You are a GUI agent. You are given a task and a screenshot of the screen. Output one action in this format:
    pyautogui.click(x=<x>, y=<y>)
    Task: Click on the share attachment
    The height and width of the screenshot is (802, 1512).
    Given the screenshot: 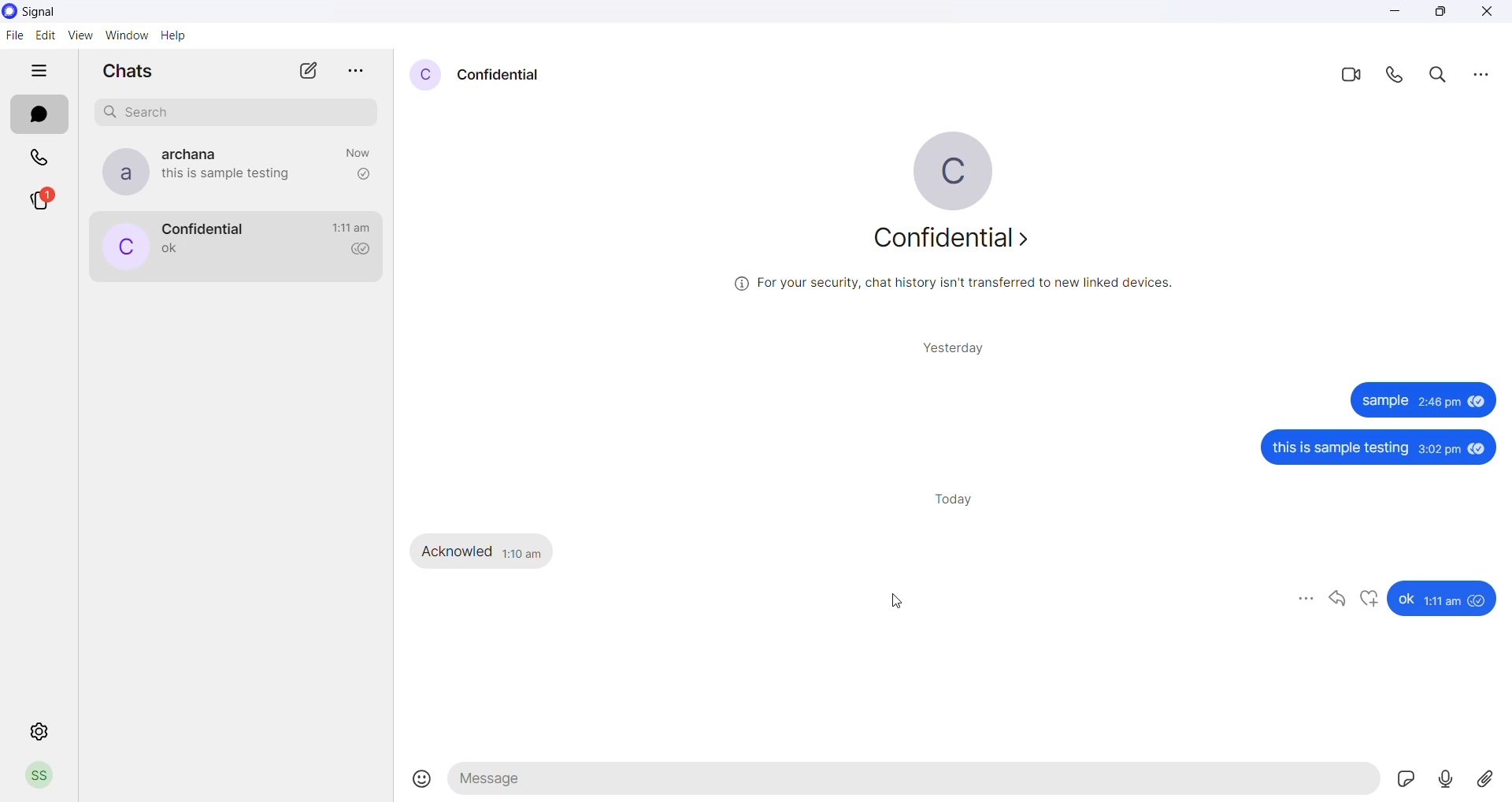 What is the action you would take?
    pyautogui.click(x=1492, y=778)
    